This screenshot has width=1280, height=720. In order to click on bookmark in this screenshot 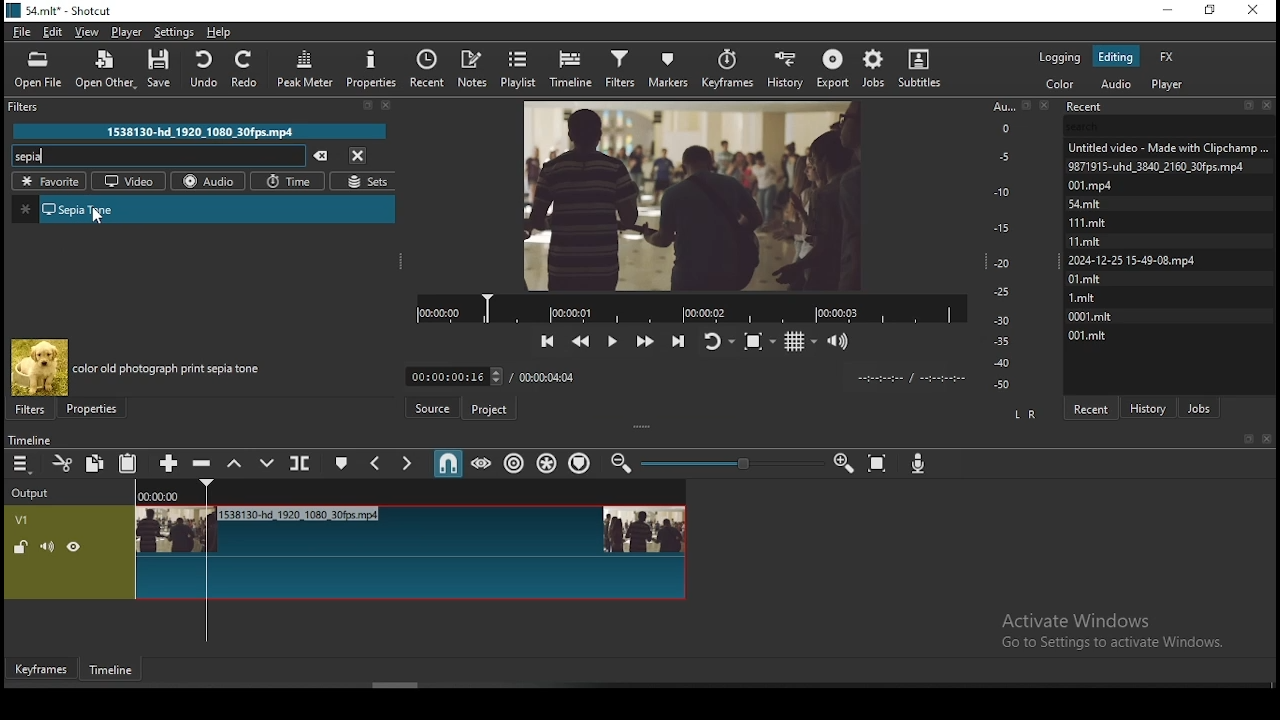, I will do `click(1247, 439)`.